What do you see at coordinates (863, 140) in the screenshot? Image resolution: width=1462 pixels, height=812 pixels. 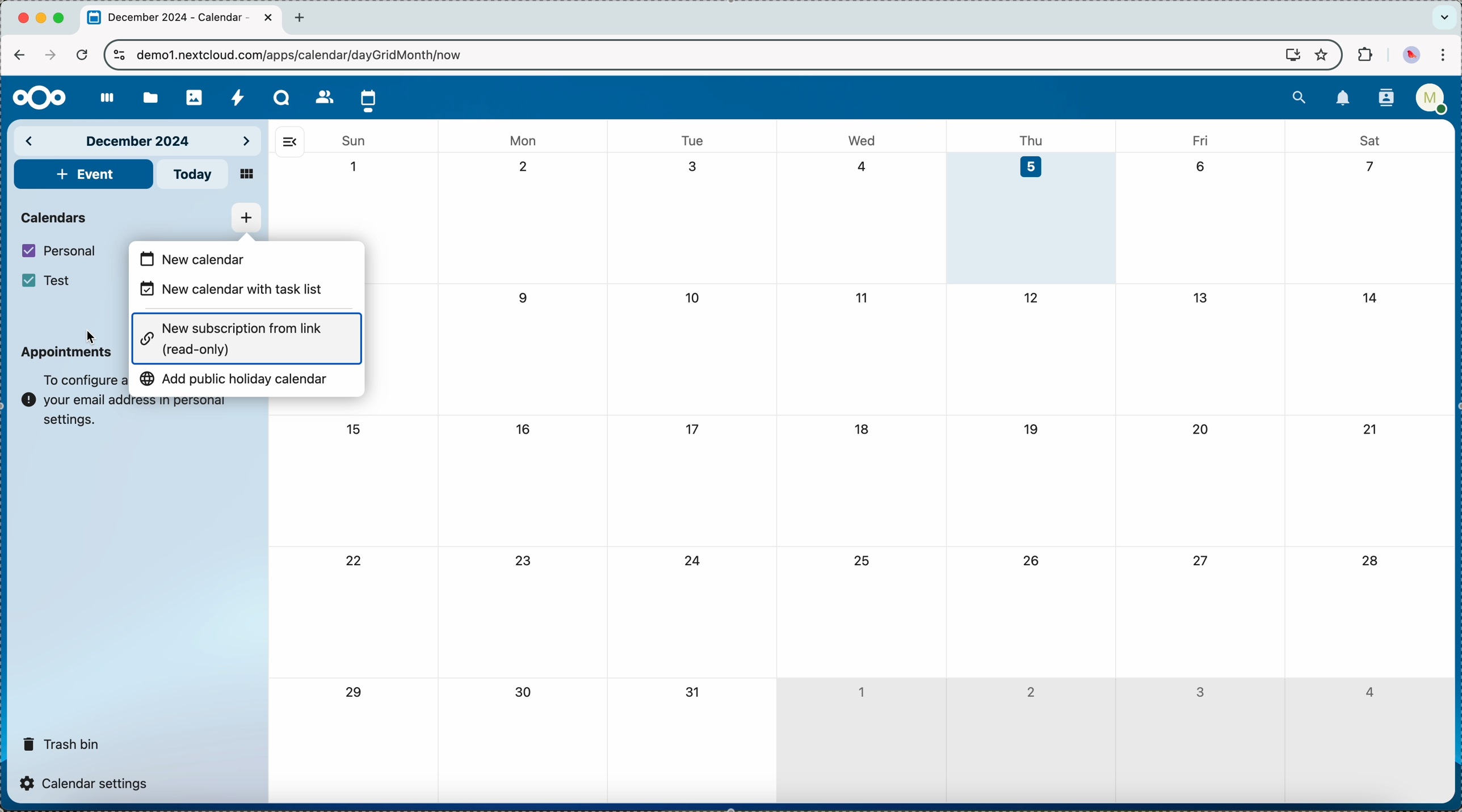 I see `wed` at bounding box center [863, 140].